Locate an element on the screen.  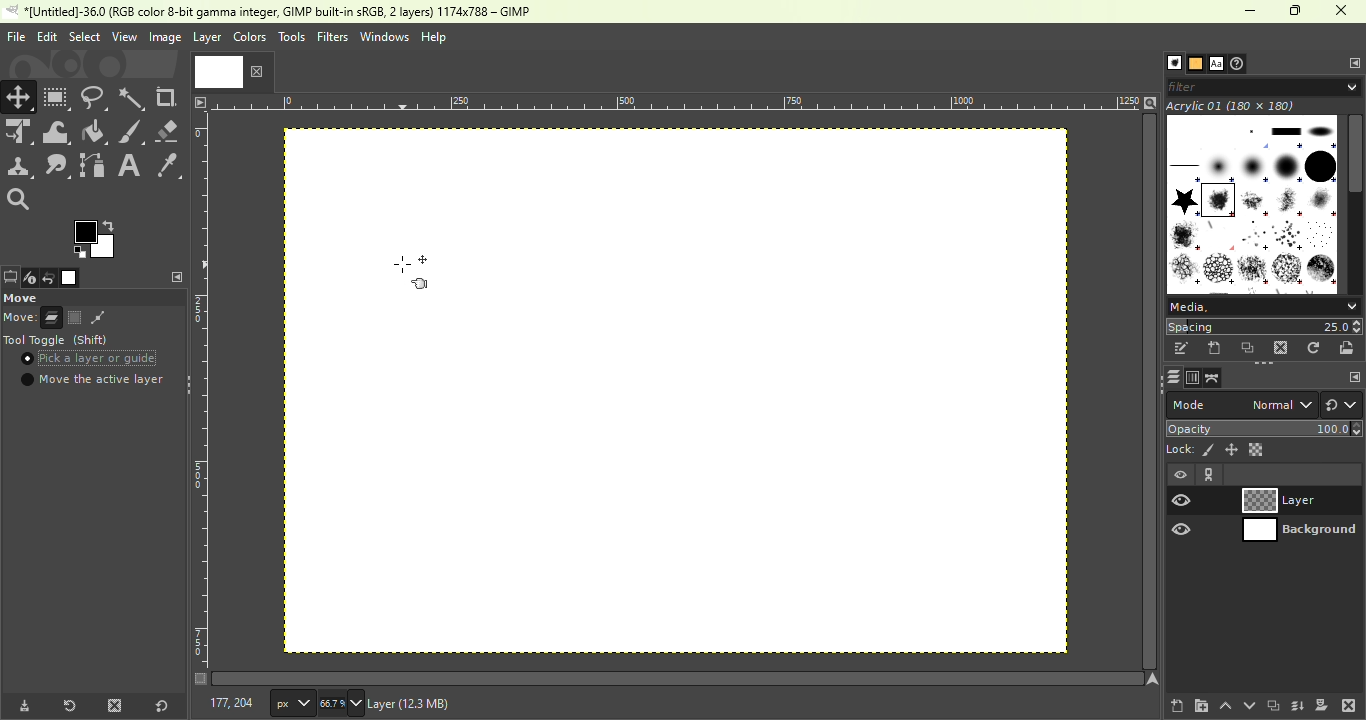
Lock pixels is located at coordinates (1190, 449).